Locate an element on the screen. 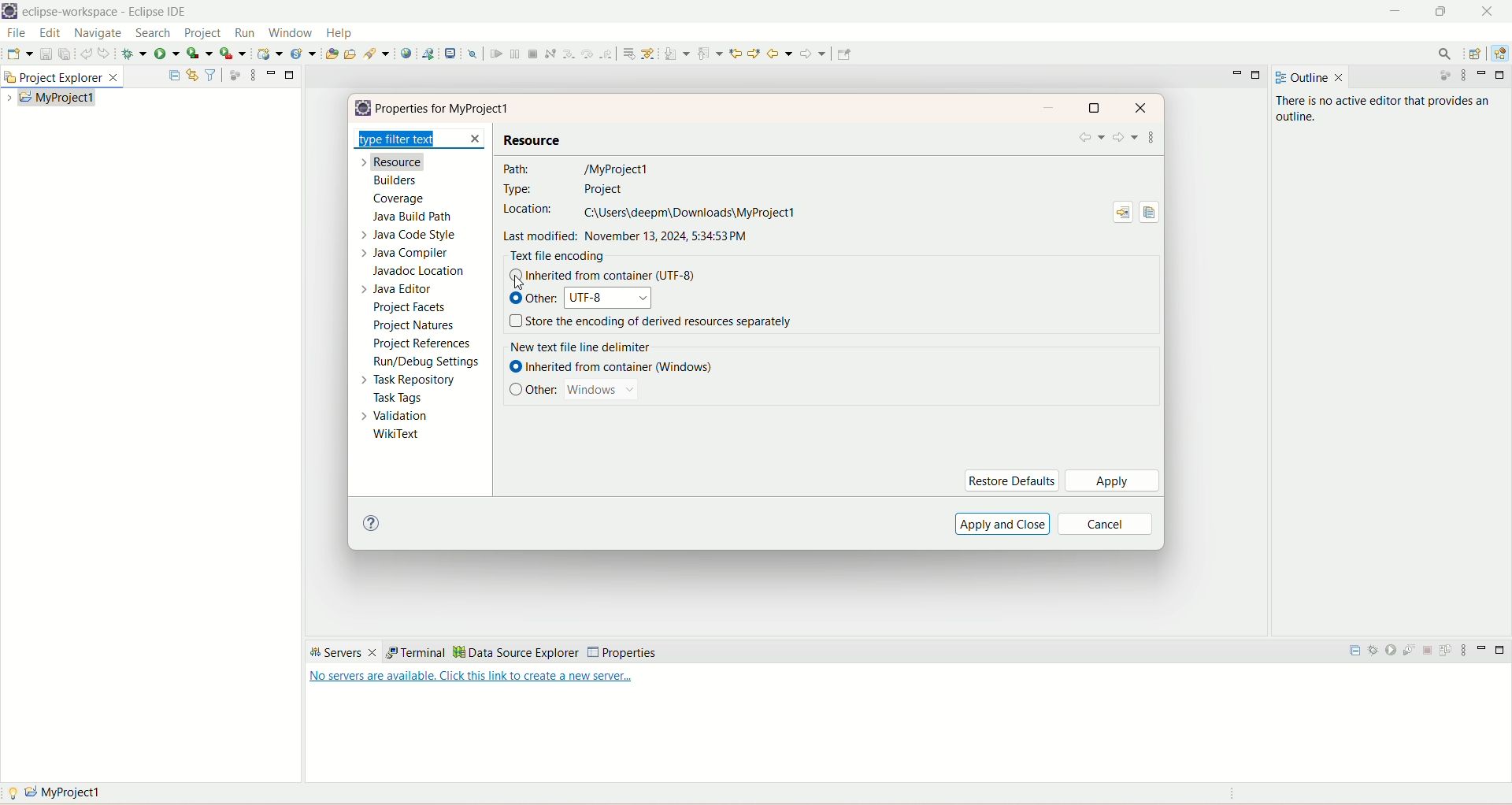 This screenshot has height=805, width=1512. maximize is located at coordinates (1257, 74).